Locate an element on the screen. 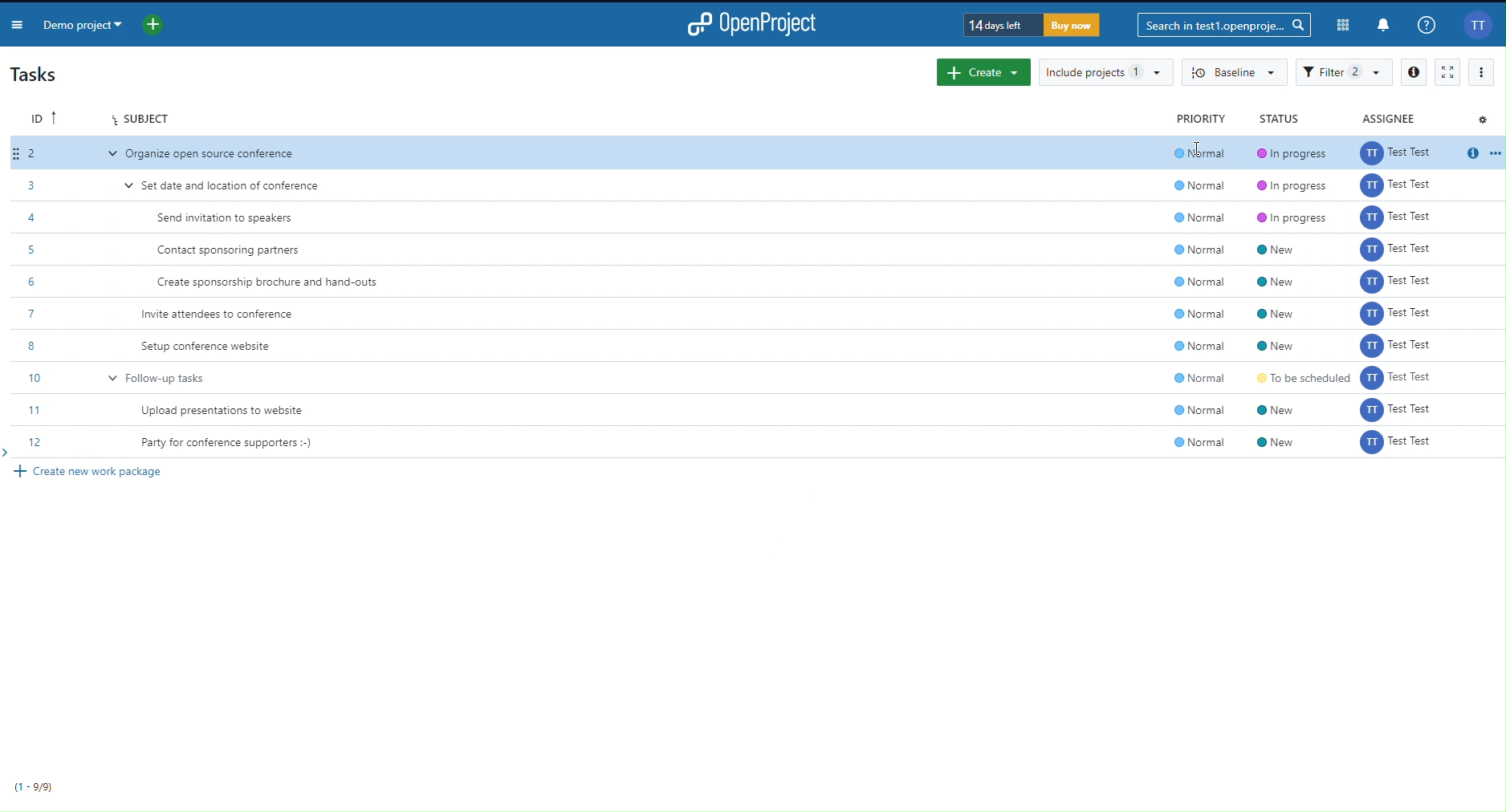 The width and height of the screenshot is (1506, 812). Priority is located at coordinates (1203, 118).